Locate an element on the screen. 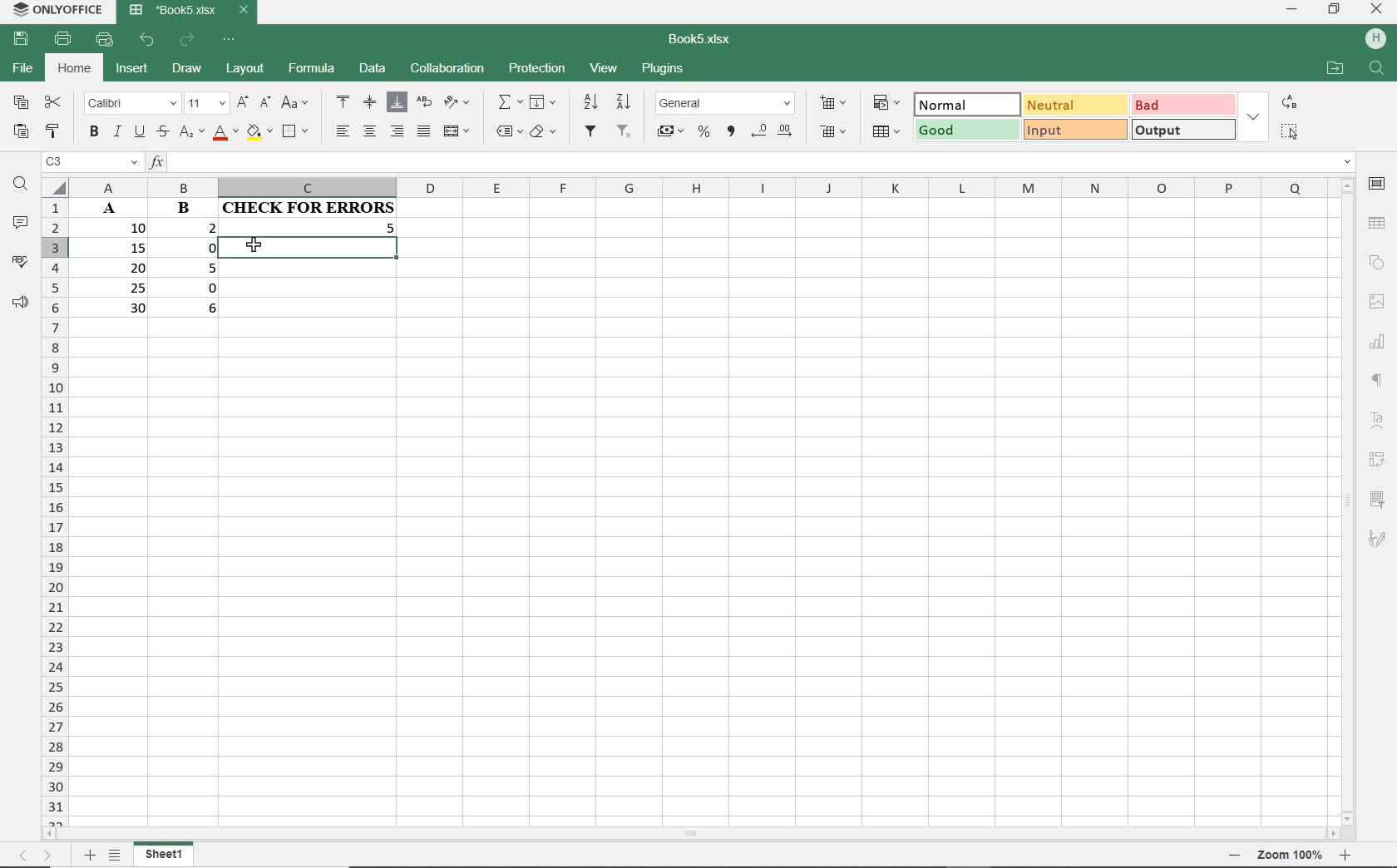 The width and height of the screenshot is (1397, 868). ITALIC is located at coordinates (116, 133).